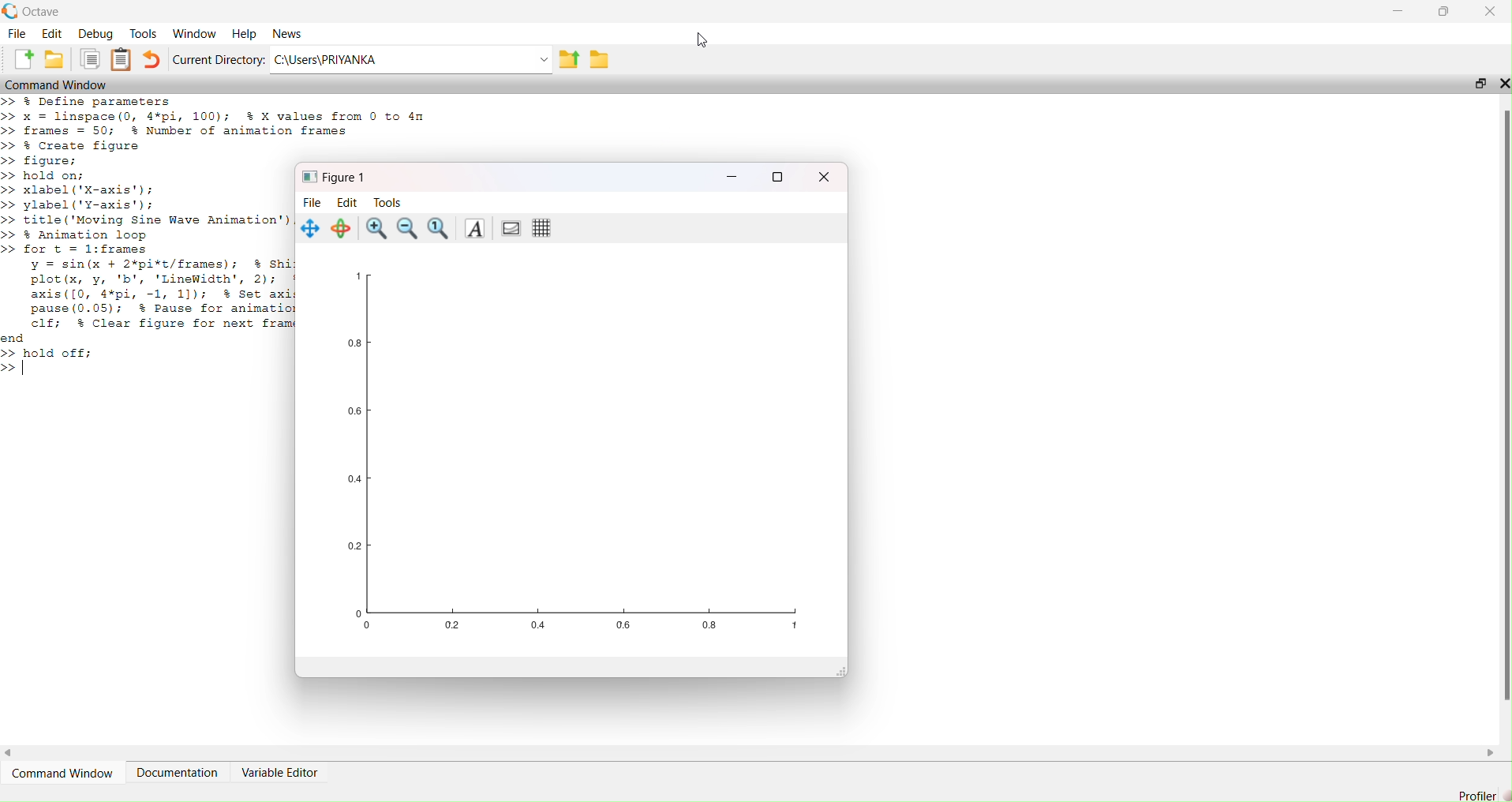 The width and height of the screenshot is (1512, 802). I want to click on maximise, so click(1476, 82).